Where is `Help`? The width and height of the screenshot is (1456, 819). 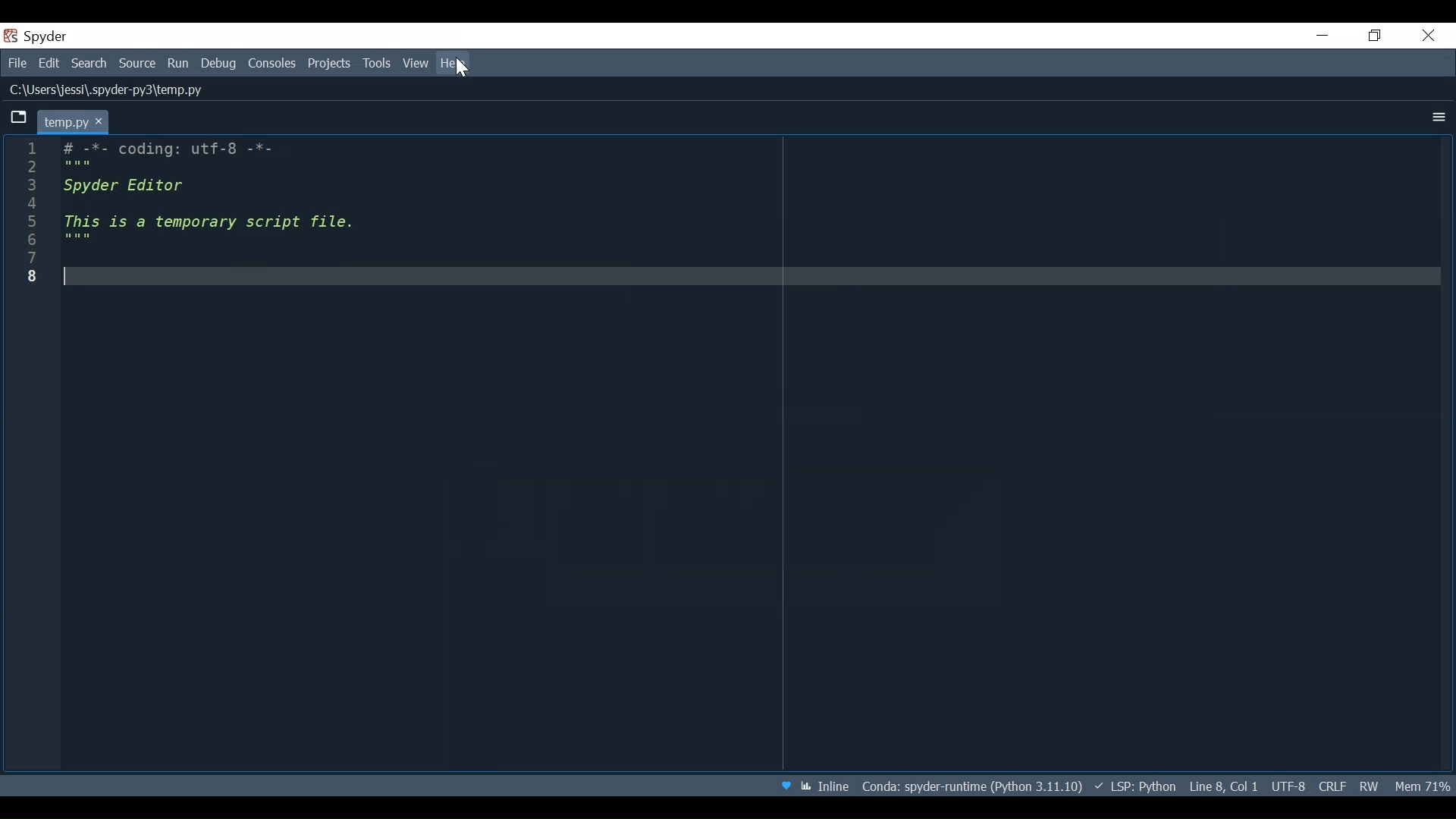
Help is located at coordinates (453, 63).